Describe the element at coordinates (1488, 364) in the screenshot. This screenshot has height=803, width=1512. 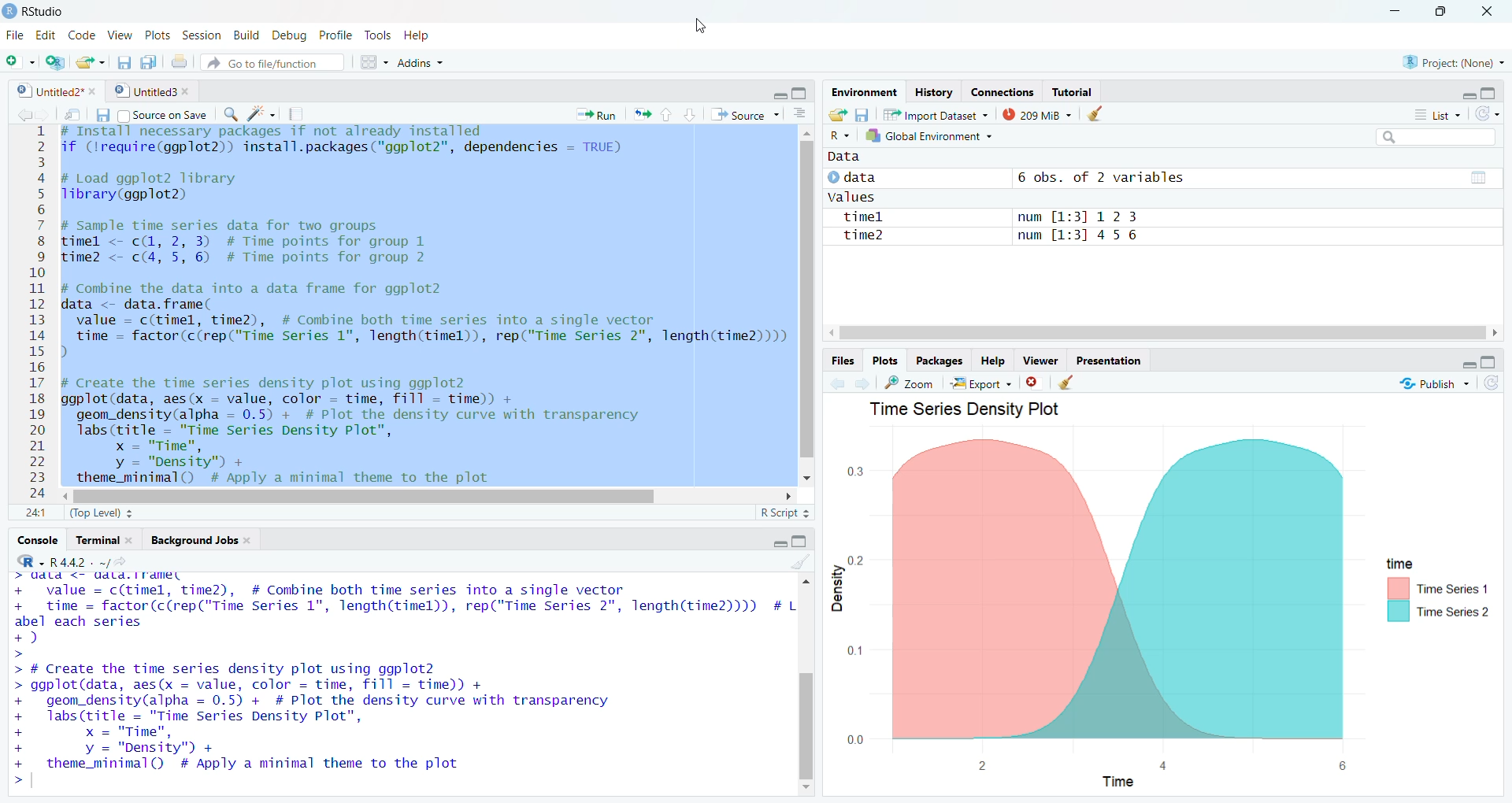
I see `Maximize` at that location.